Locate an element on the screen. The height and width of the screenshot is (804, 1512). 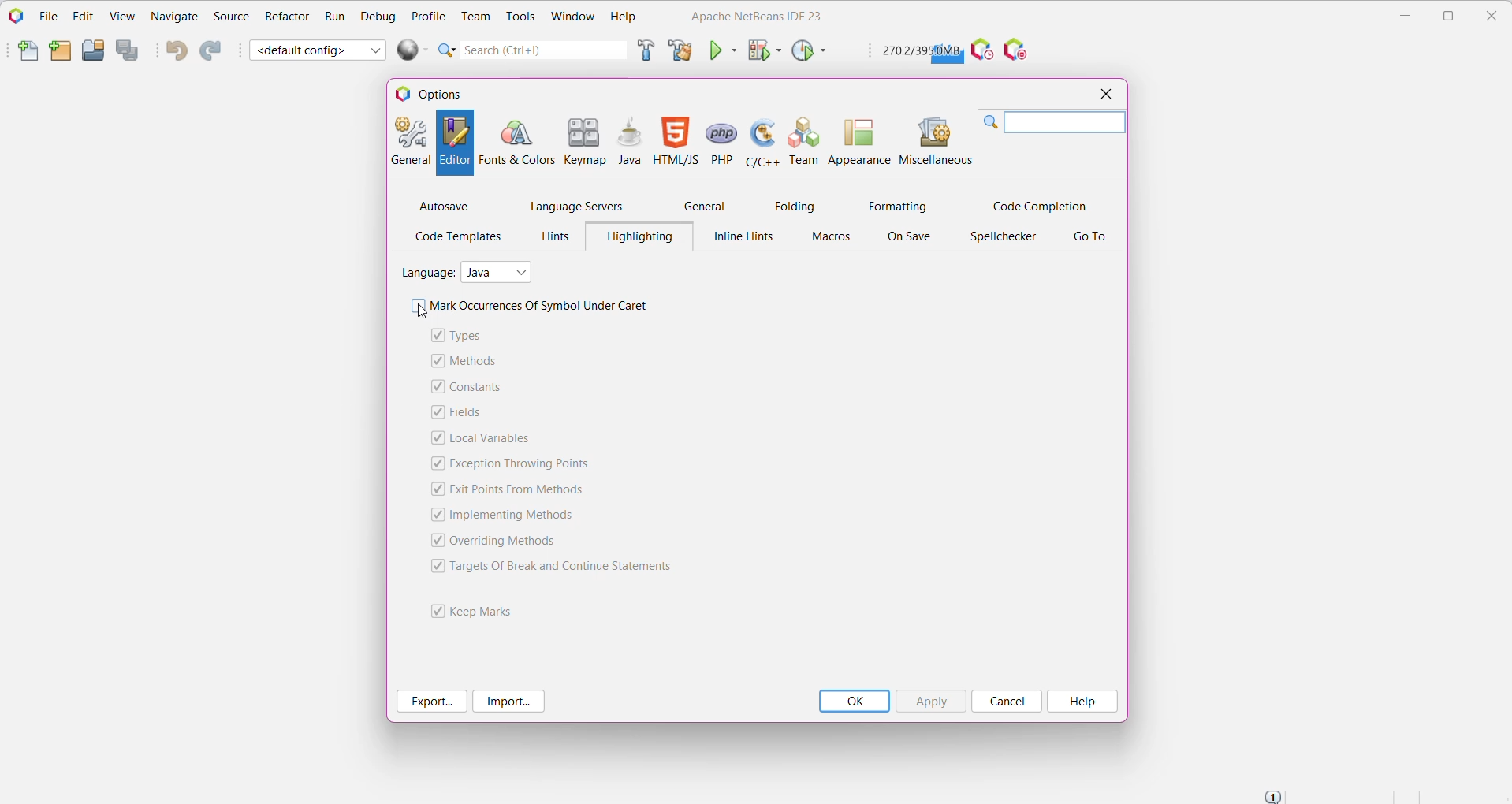
Targets Of Break and Continue Statements - click to enable is located at coordinates (570, 568).